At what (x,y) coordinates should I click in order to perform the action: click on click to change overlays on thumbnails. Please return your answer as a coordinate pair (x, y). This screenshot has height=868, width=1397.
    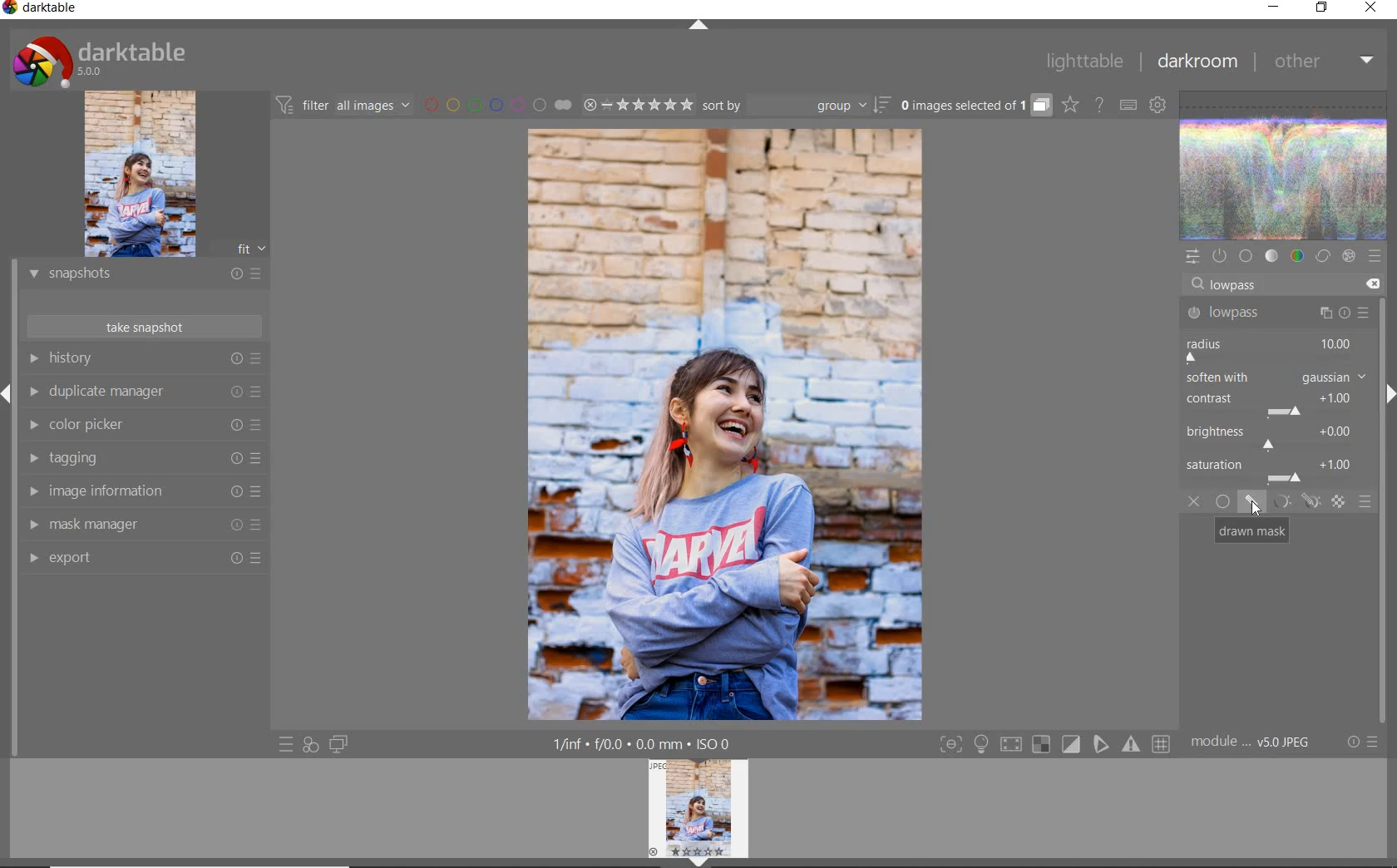
    Looking at the image, I should click on (1069, 104).